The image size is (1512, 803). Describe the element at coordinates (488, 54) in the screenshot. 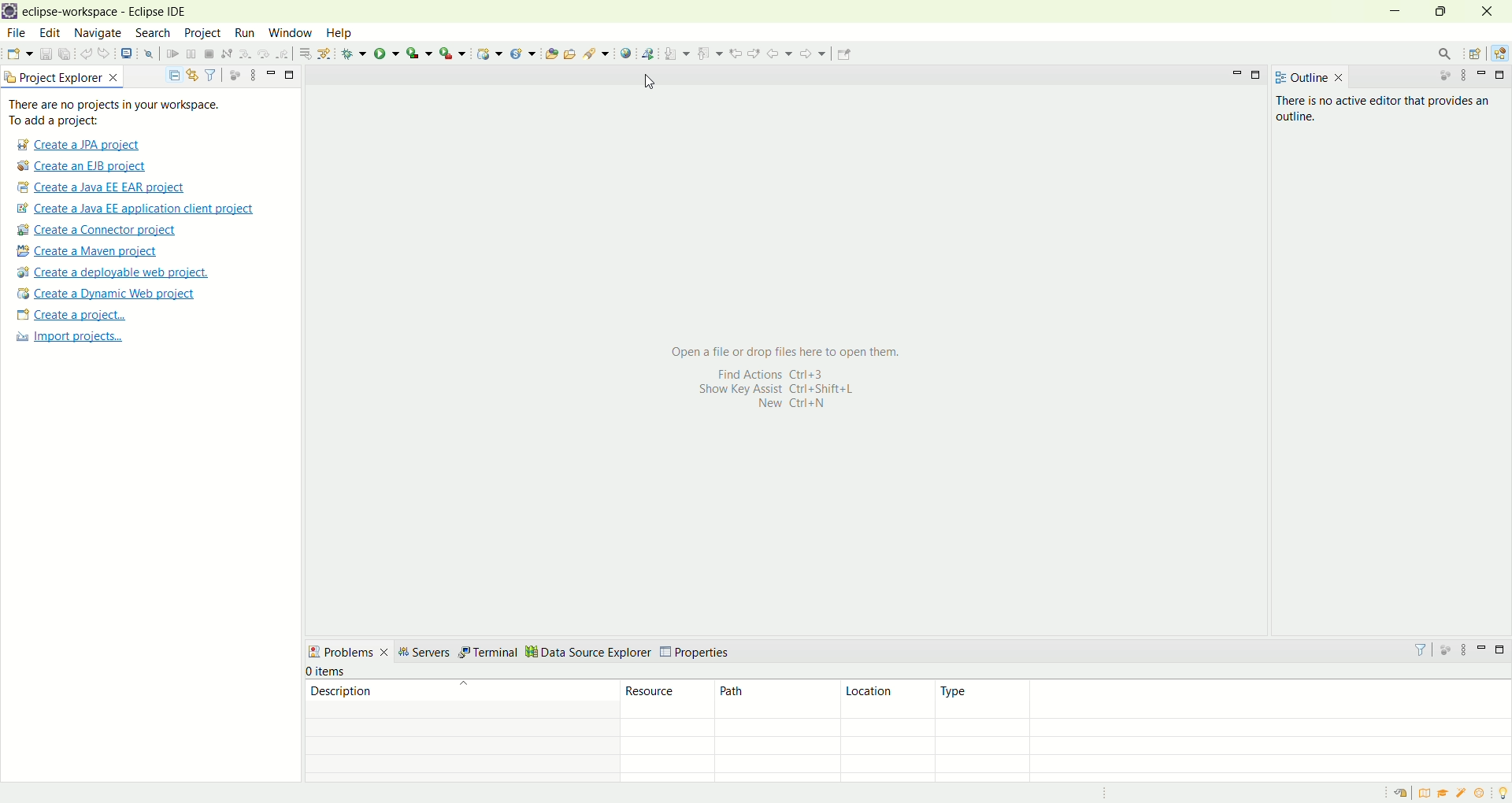

I see `create a dynamic web project` at that location.